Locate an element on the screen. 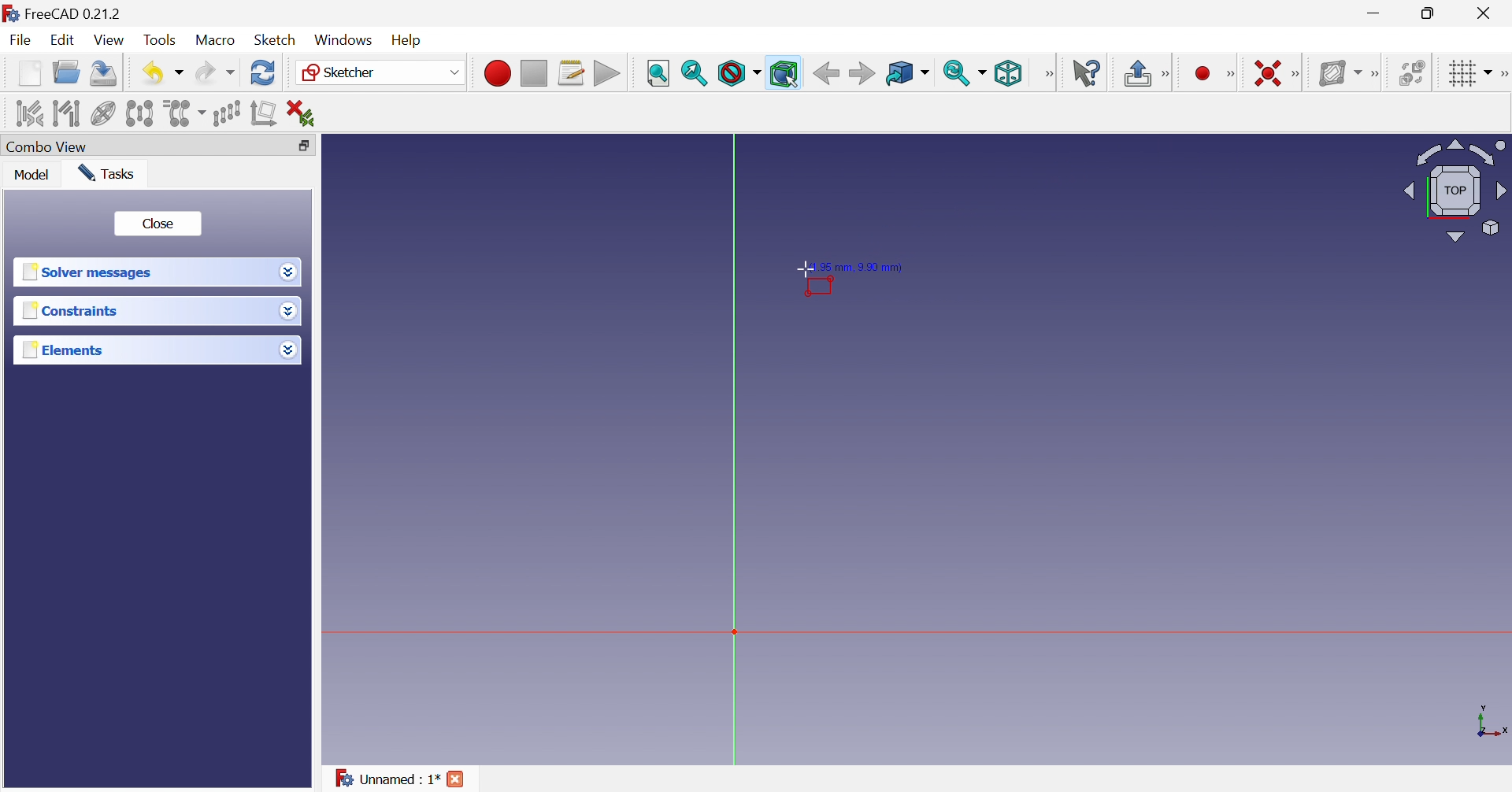  Elements is located at coordinates (65, 350).